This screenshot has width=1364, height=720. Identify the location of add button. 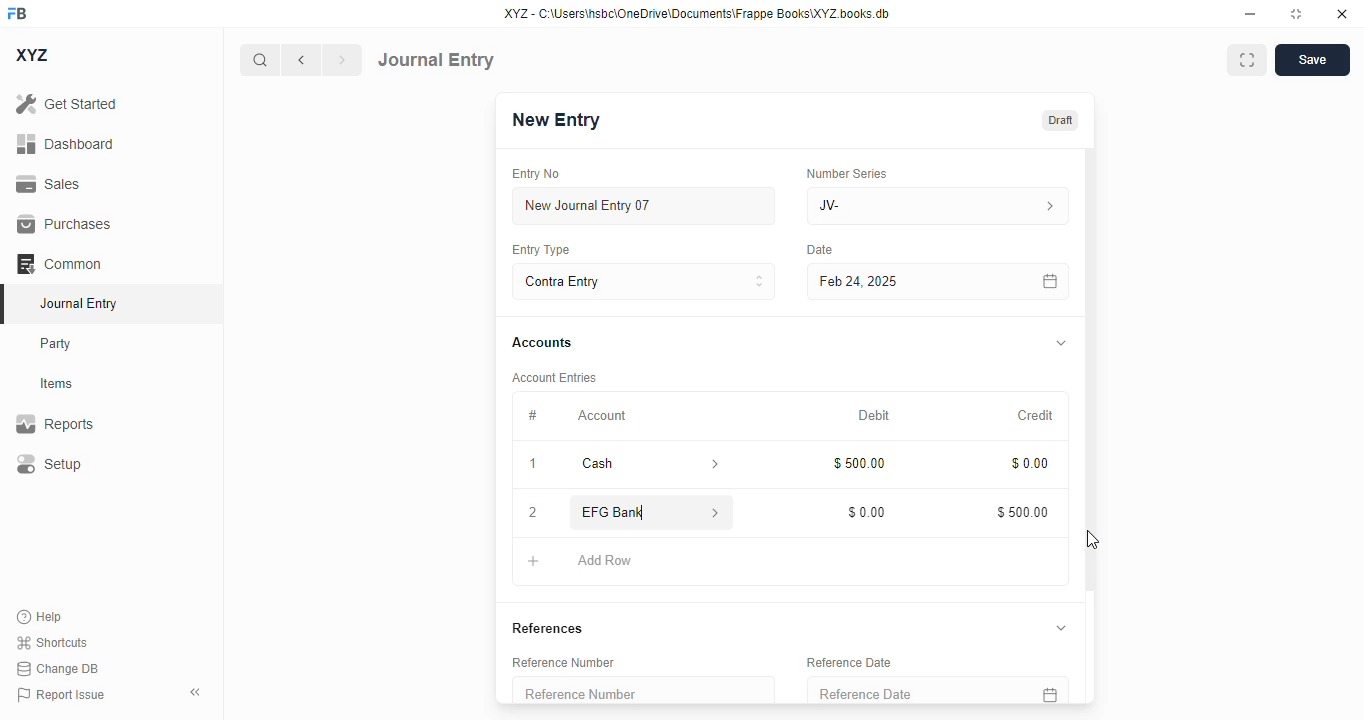
(532, 561).